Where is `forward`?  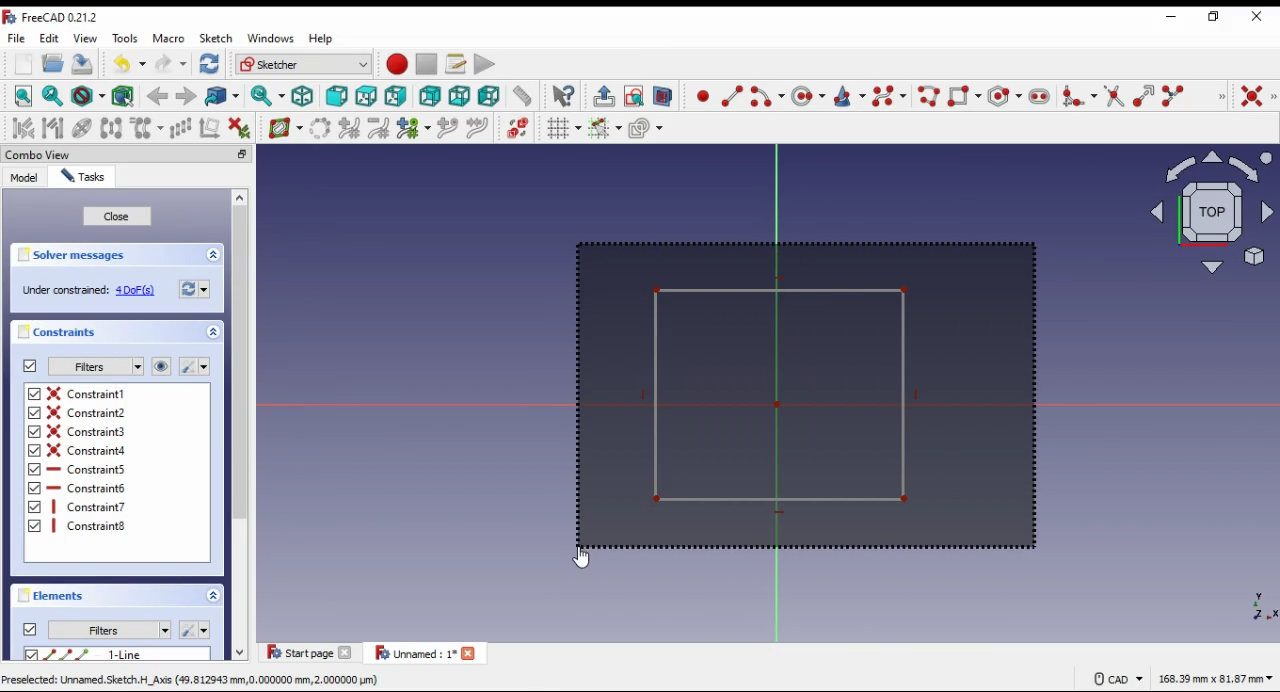 forward is located at coordinates (186, 97).